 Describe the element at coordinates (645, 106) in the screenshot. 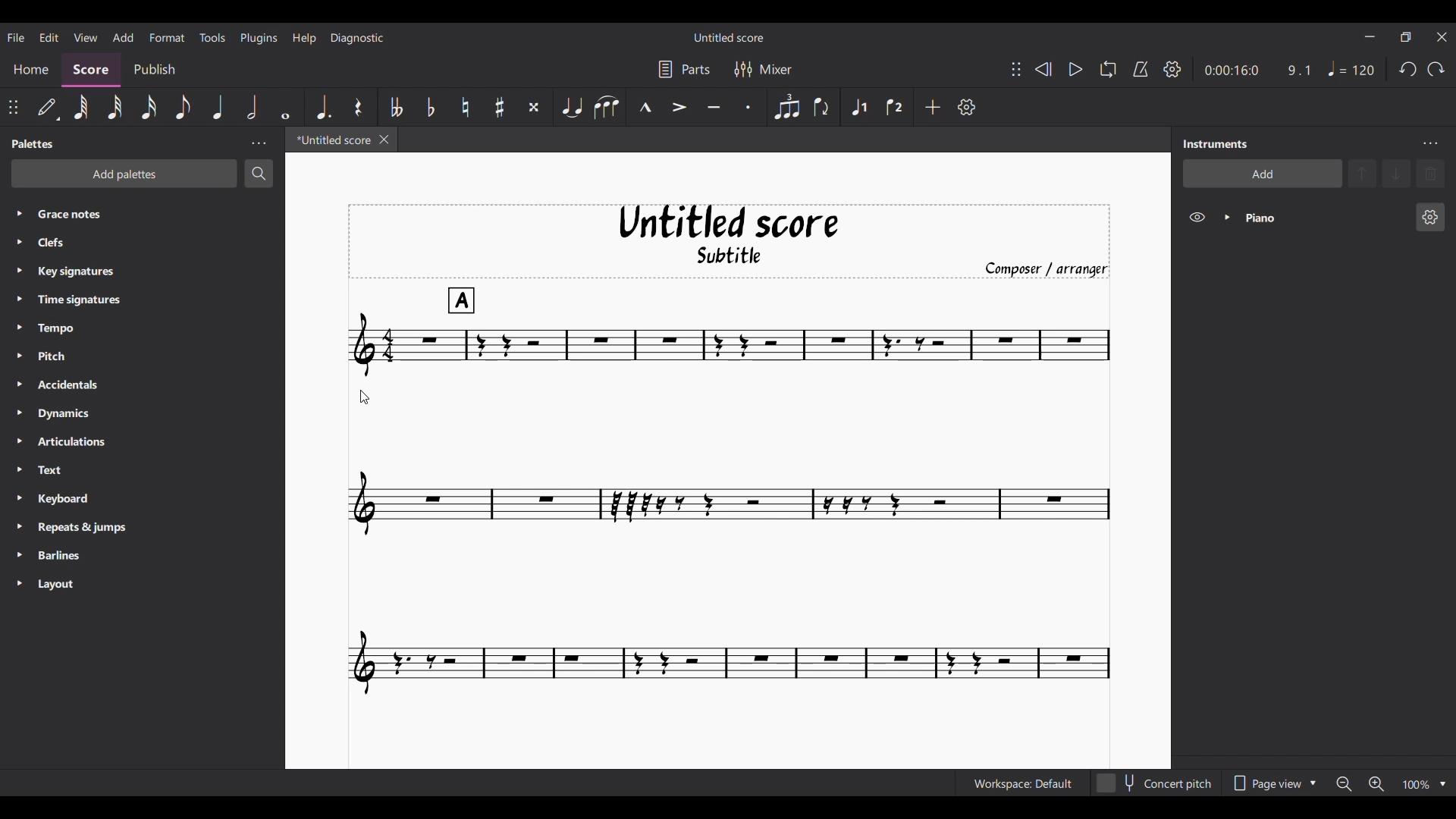

I see `Marcato` at that location.